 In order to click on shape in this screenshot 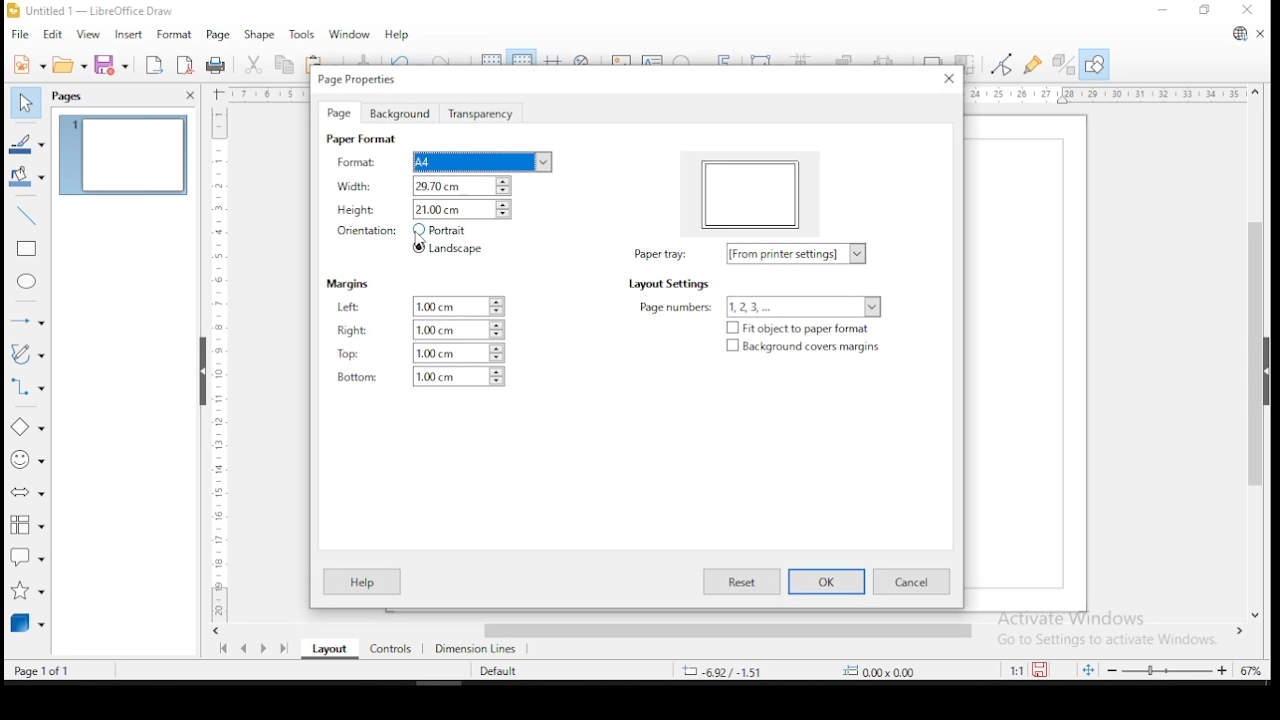, I will do `click(264, 35)`.